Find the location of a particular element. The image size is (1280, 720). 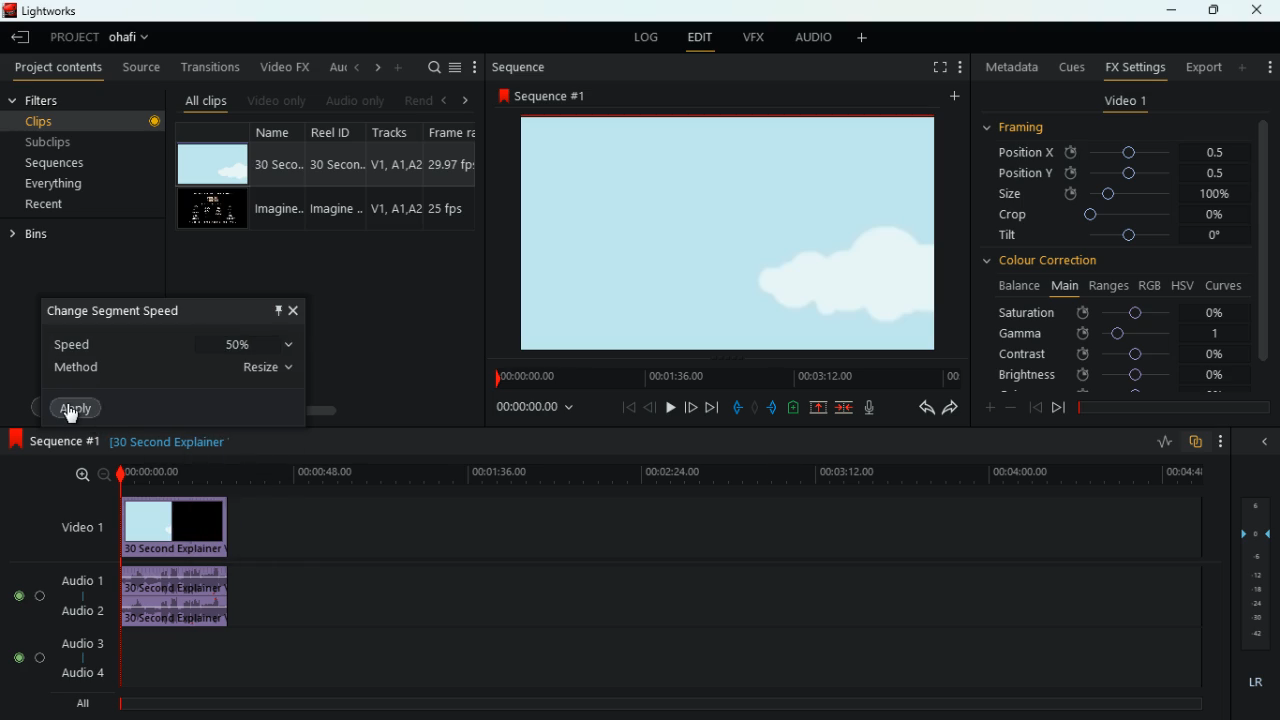

sequence is located at coordinates (518, 67).